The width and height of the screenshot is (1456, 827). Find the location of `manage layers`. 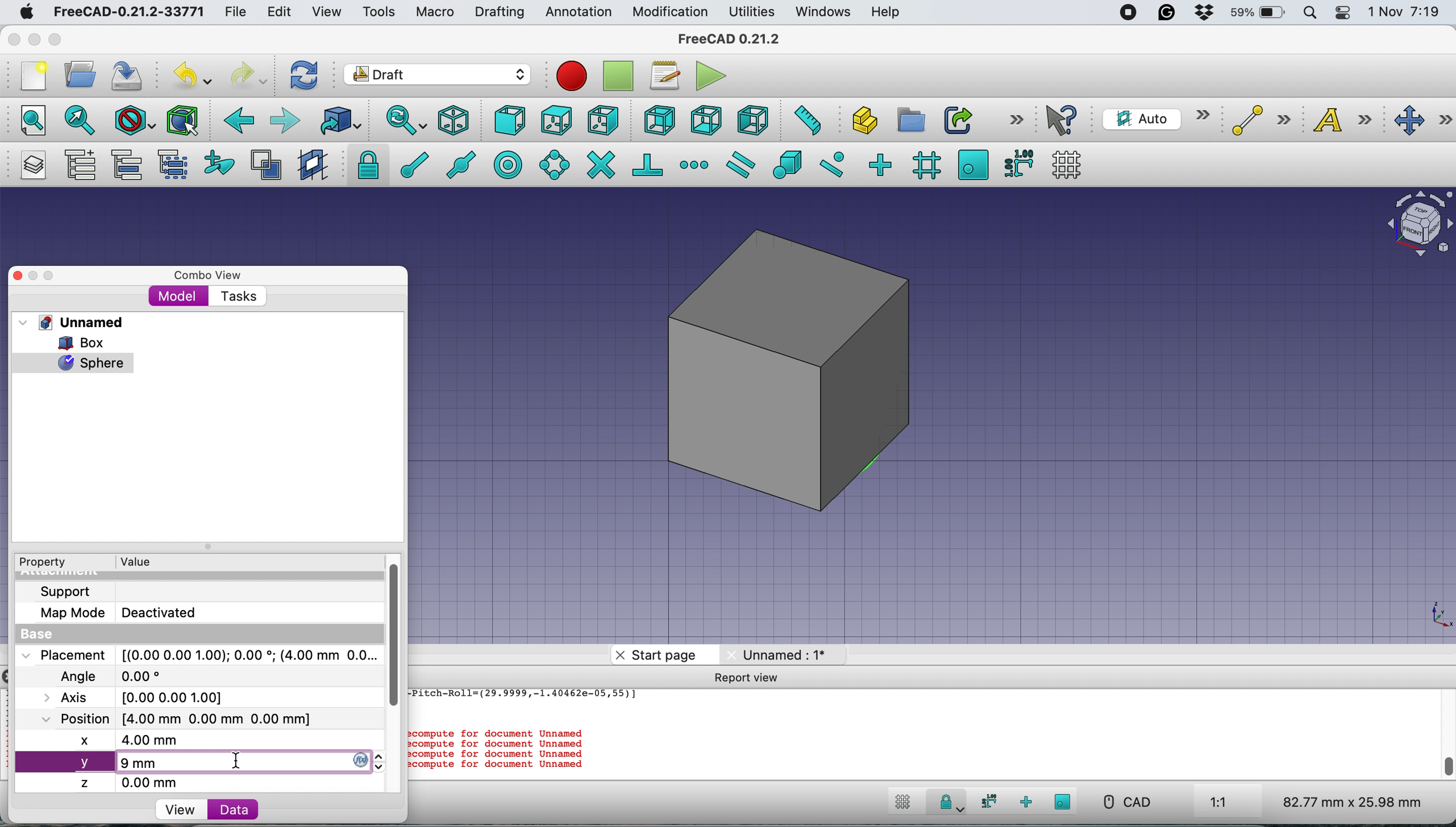

manage layers is located at coordinates (30, 165).